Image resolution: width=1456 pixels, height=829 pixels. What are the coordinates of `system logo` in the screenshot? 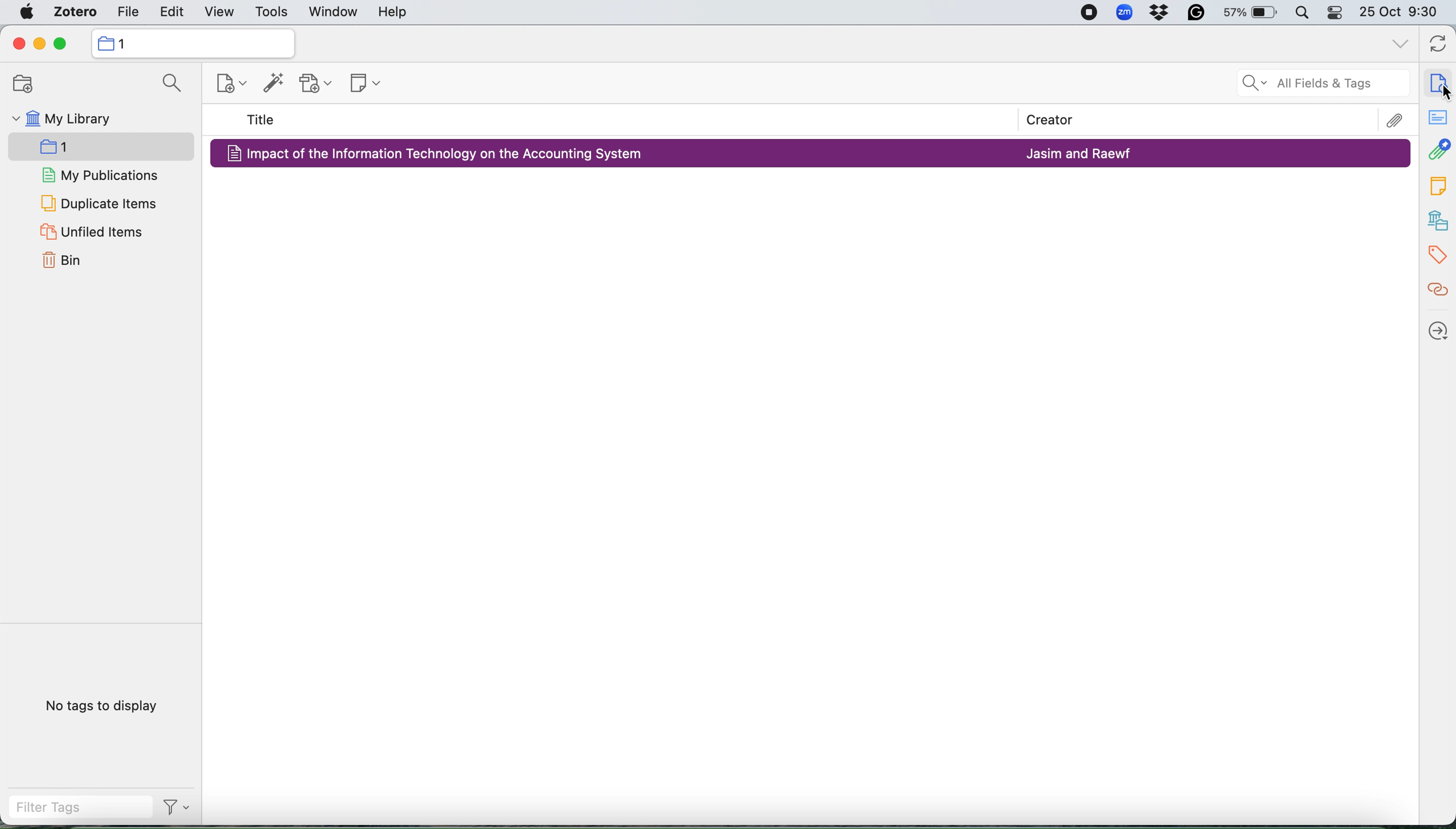 It's located at (24, 12).